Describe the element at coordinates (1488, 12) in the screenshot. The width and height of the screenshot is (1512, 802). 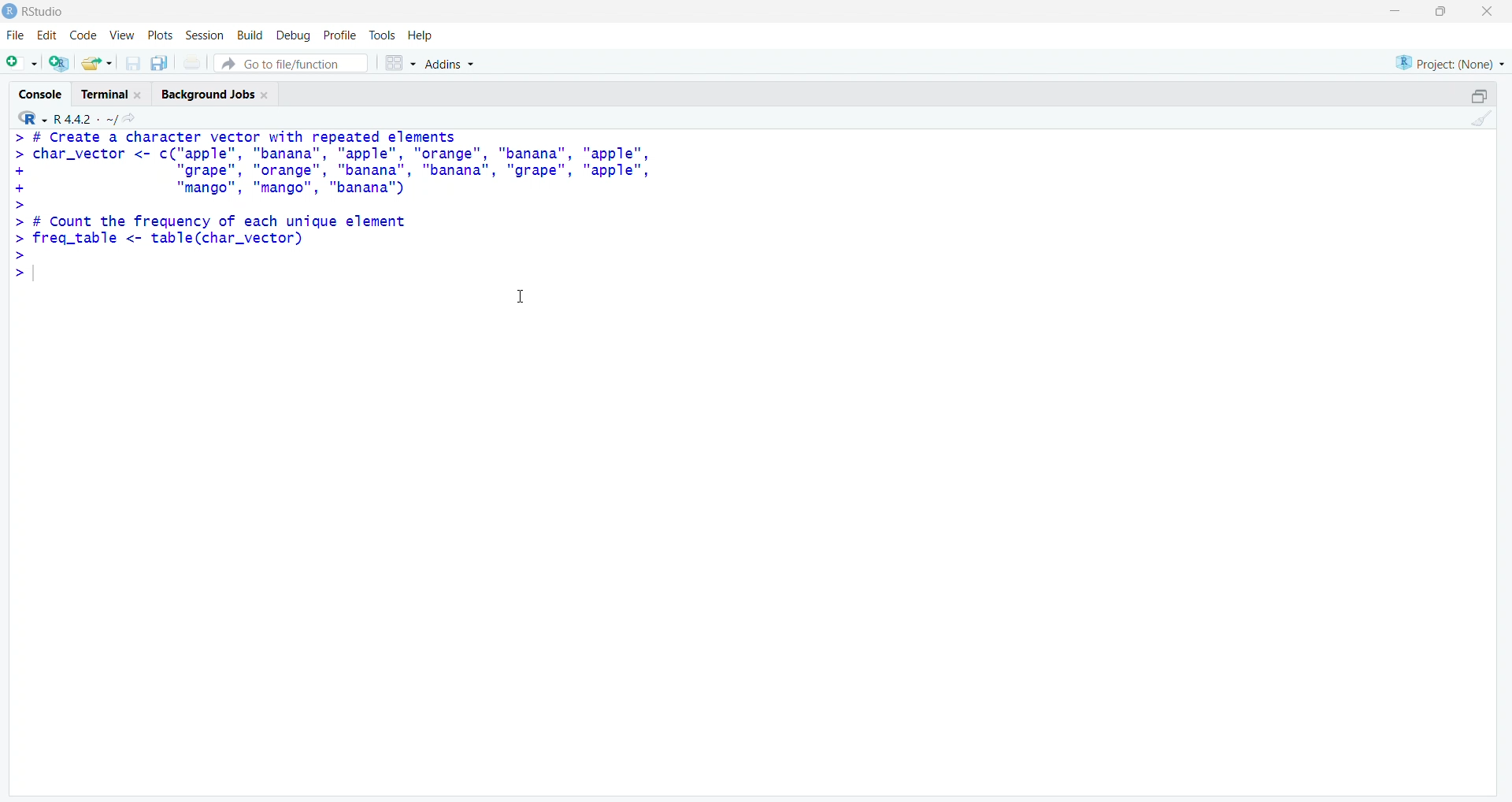
I see `Close` at that location.